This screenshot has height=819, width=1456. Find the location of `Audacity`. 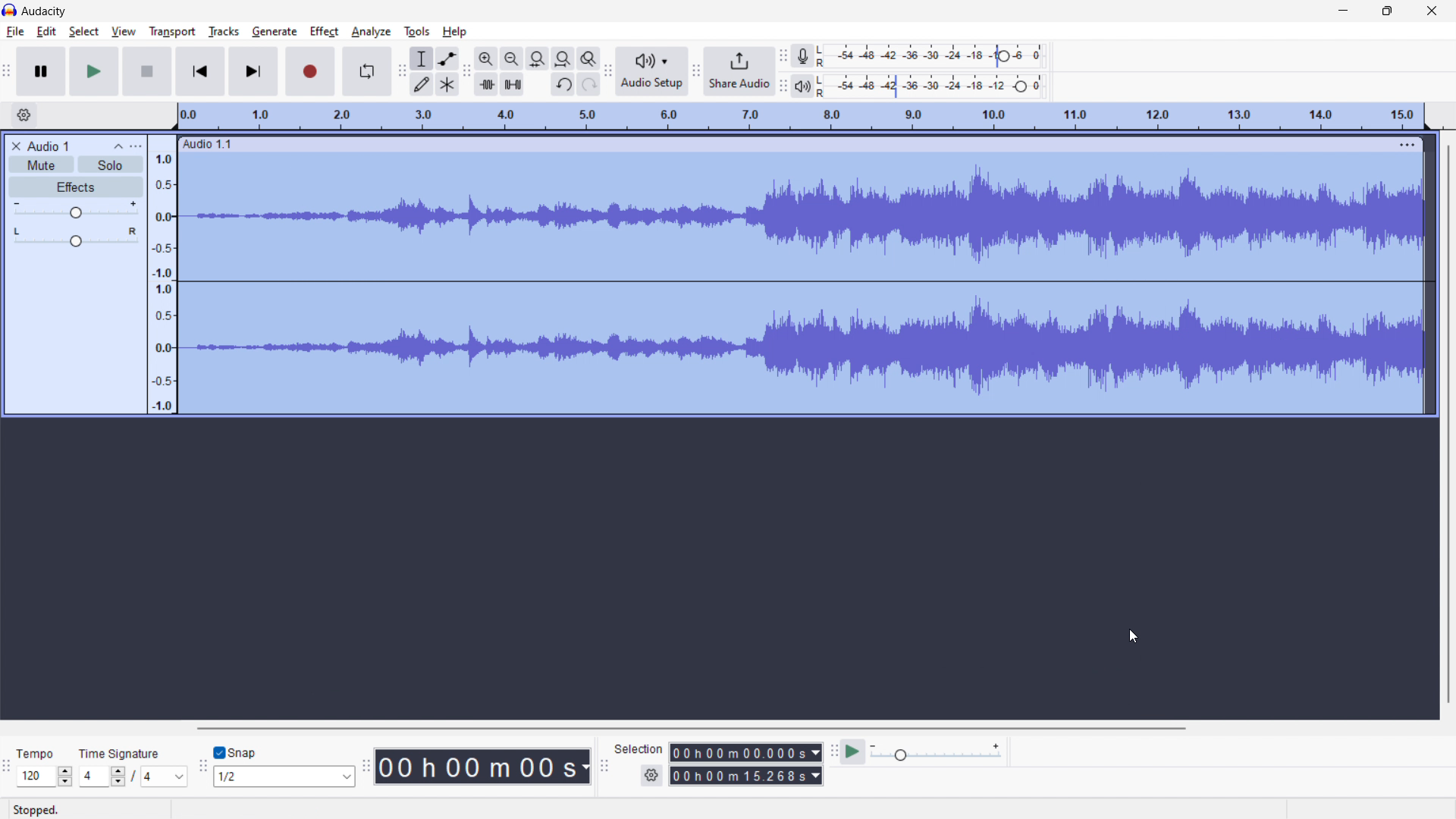

Audacity is located at coordinates (45, 11).